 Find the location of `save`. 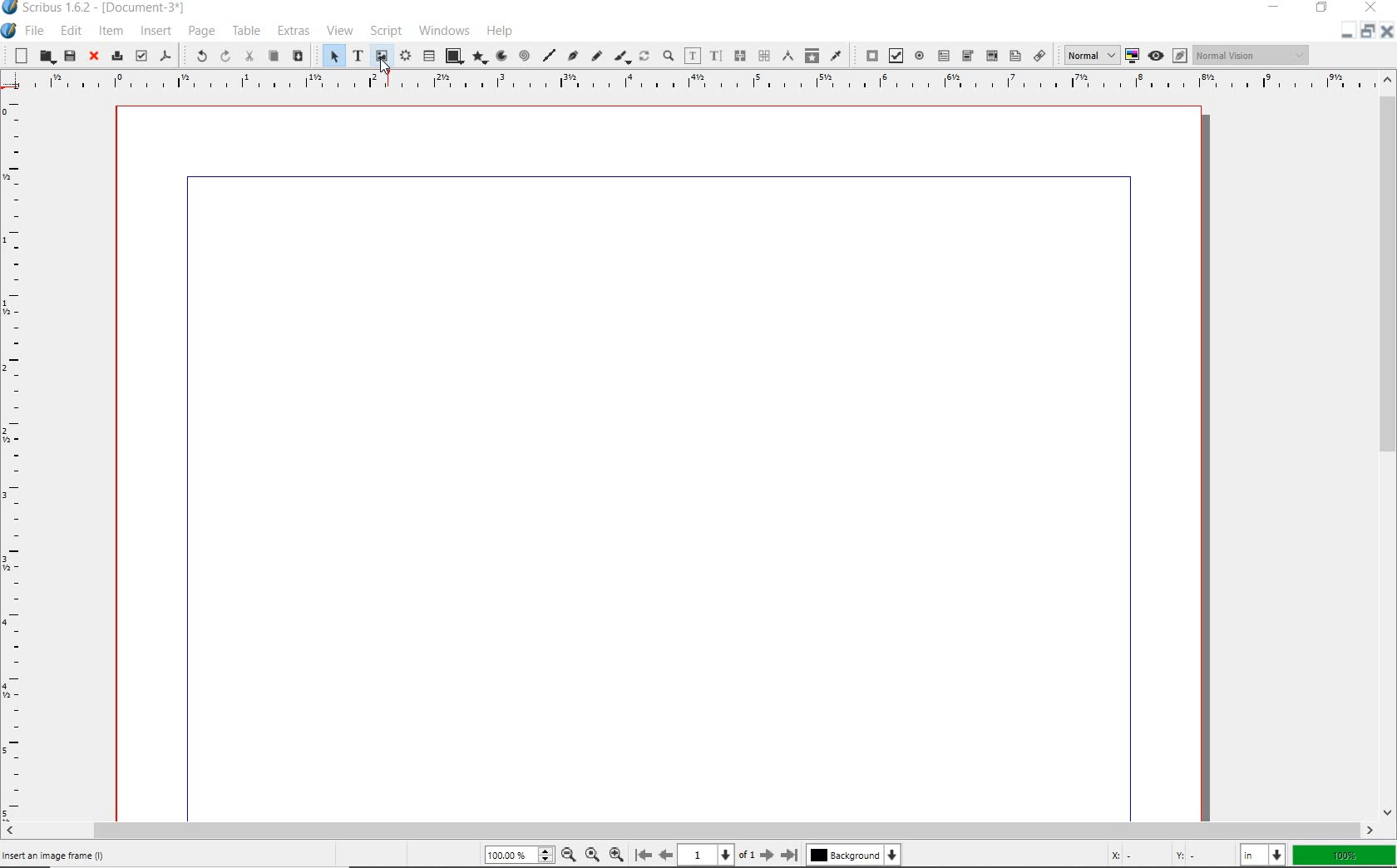

save is located at coordinates (69, 55).